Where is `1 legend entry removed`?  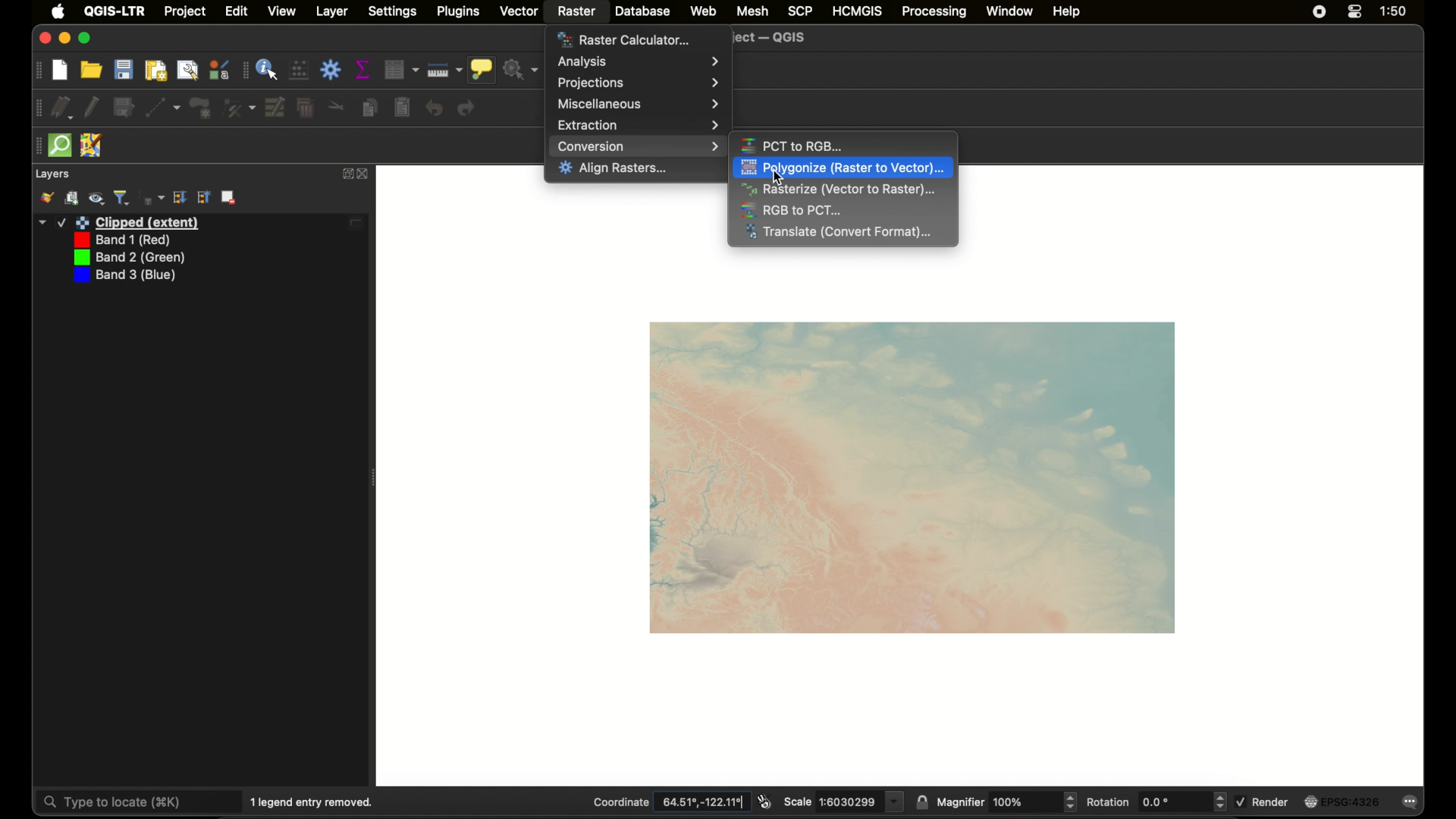 1 legend entry removed is located at coordinates (315, 802).